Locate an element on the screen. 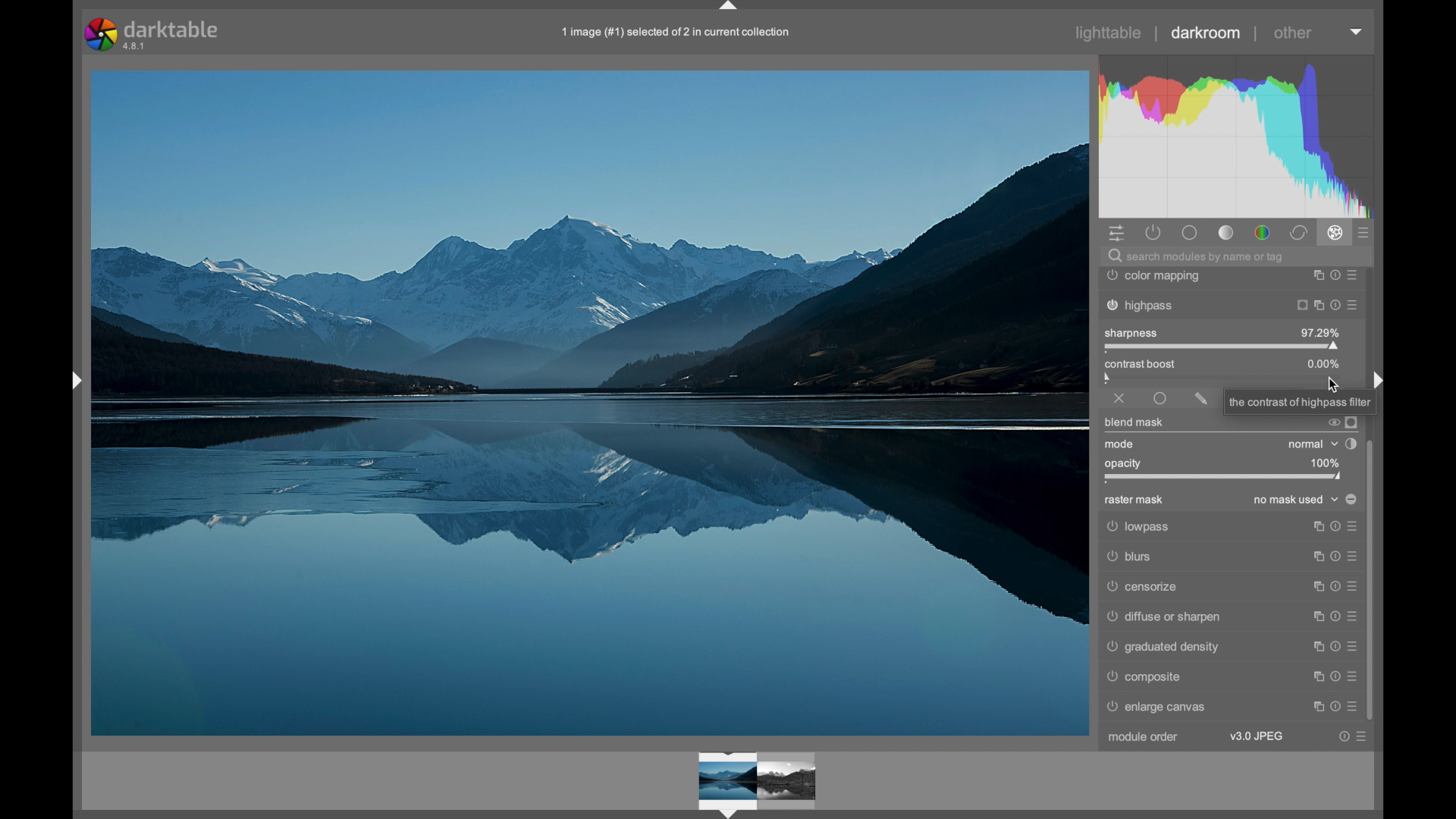  highpass is located at coordinates (1229, 306).